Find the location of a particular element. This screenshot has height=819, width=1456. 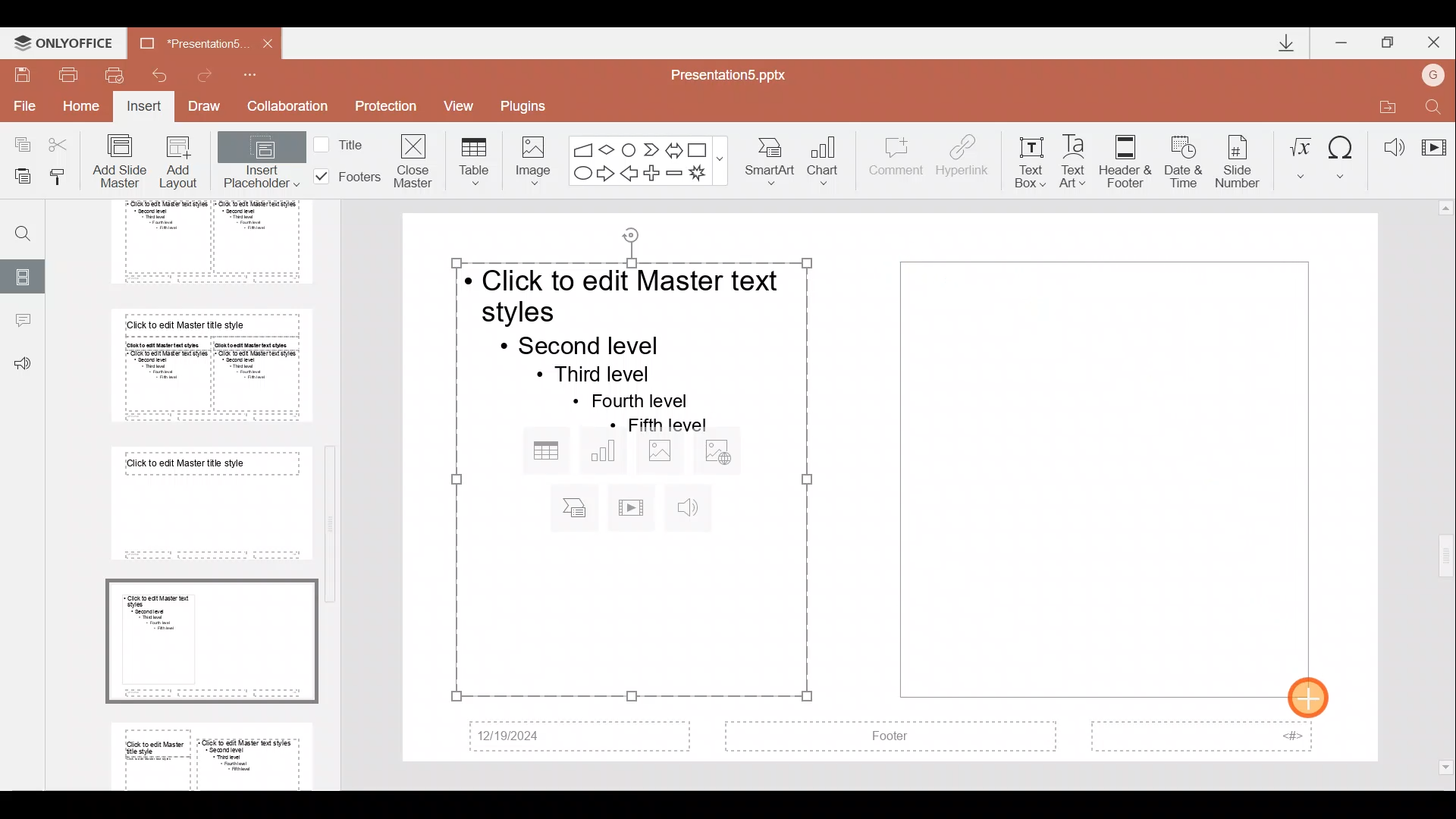

Plus is located at coordinates (654, 171).